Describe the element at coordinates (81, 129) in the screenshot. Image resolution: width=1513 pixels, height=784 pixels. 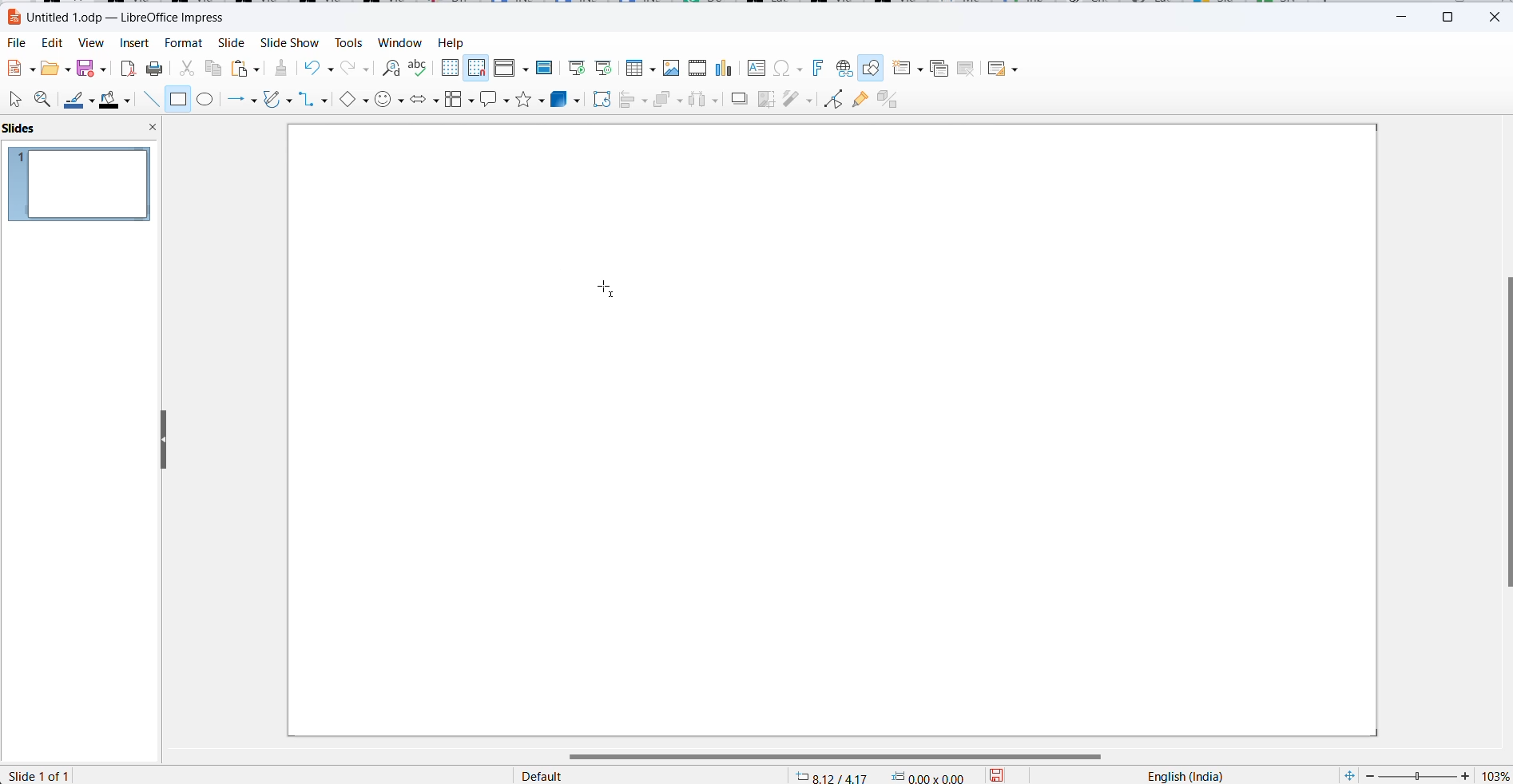
I see `slide pane` at that location.